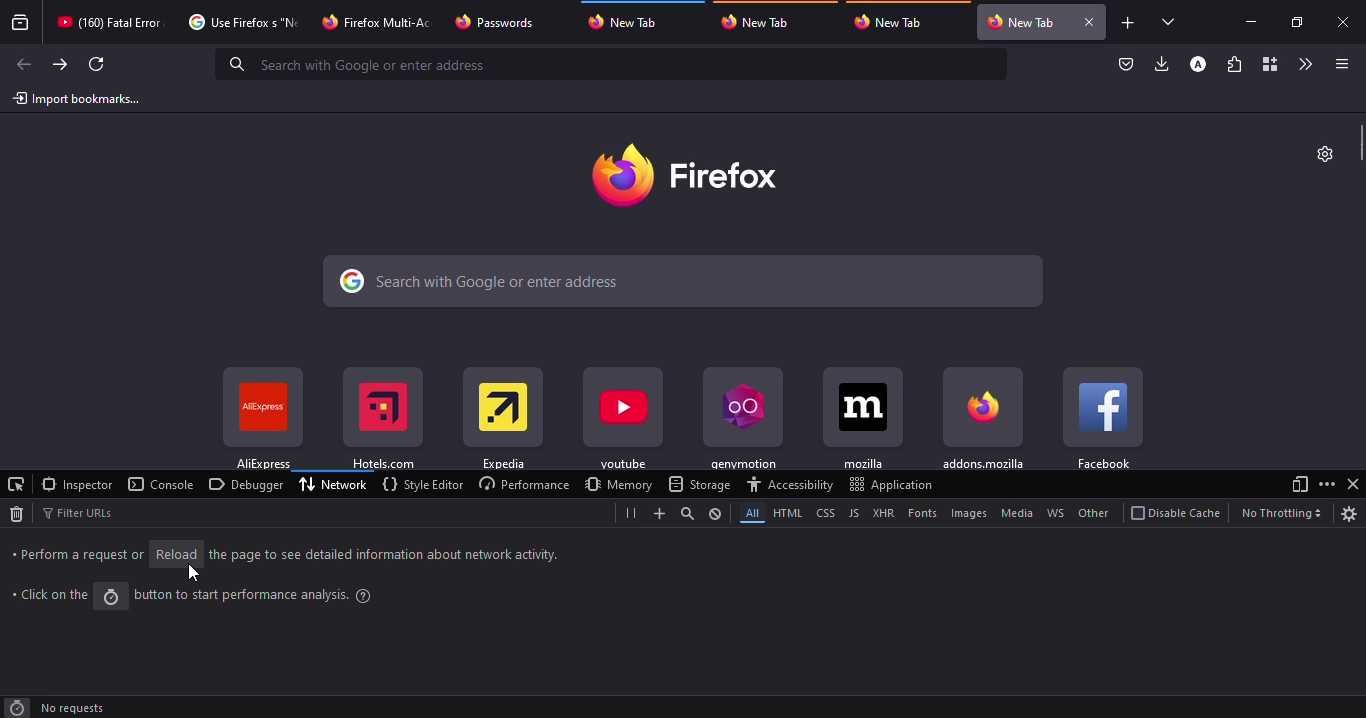  What do you see at coordinates (1267, 63) in the screenshot?
I see `containers` at bounding box center [1267, 63].